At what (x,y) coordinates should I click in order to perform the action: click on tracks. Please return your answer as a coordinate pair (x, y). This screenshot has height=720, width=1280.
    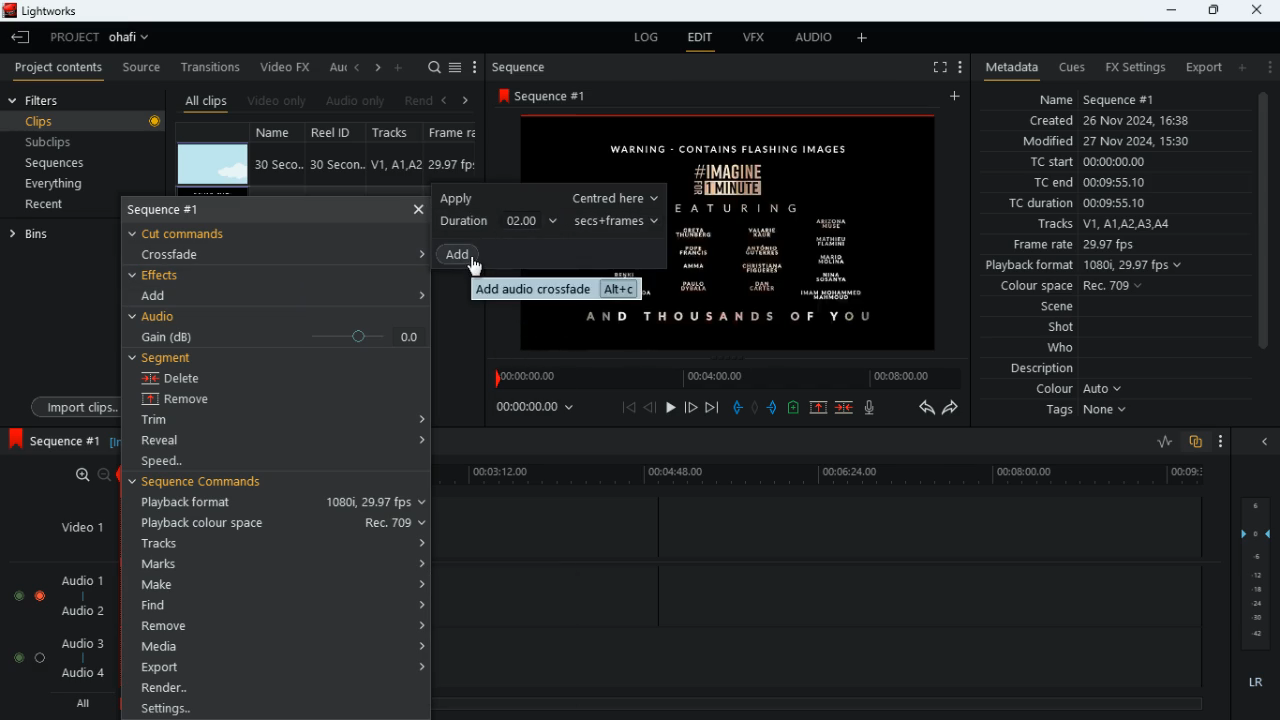
    Looking at the image, I should click on (1102, 225).